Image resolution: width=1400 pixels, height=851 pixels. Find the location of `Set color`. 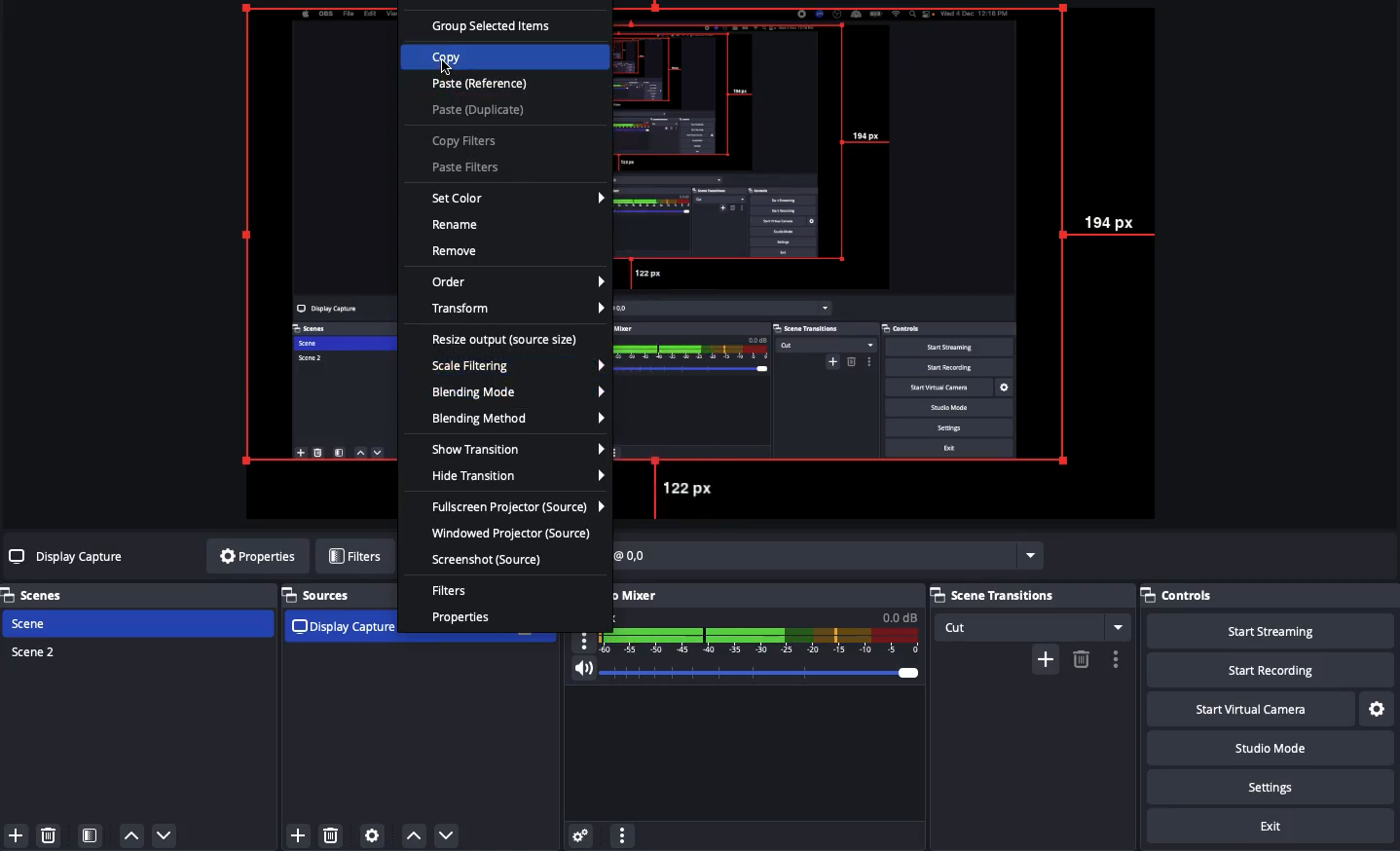

Set color is located at coordinates (516, 200).